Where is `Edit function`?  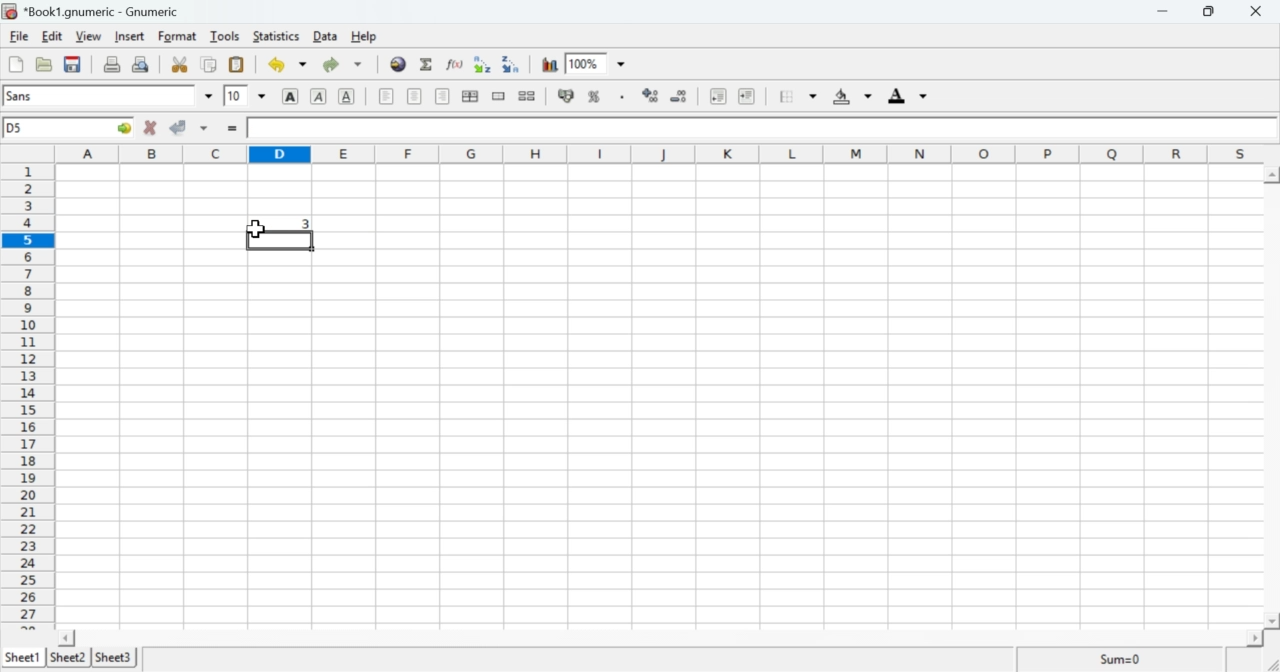 Edit function is located at coordinates (455, 64).